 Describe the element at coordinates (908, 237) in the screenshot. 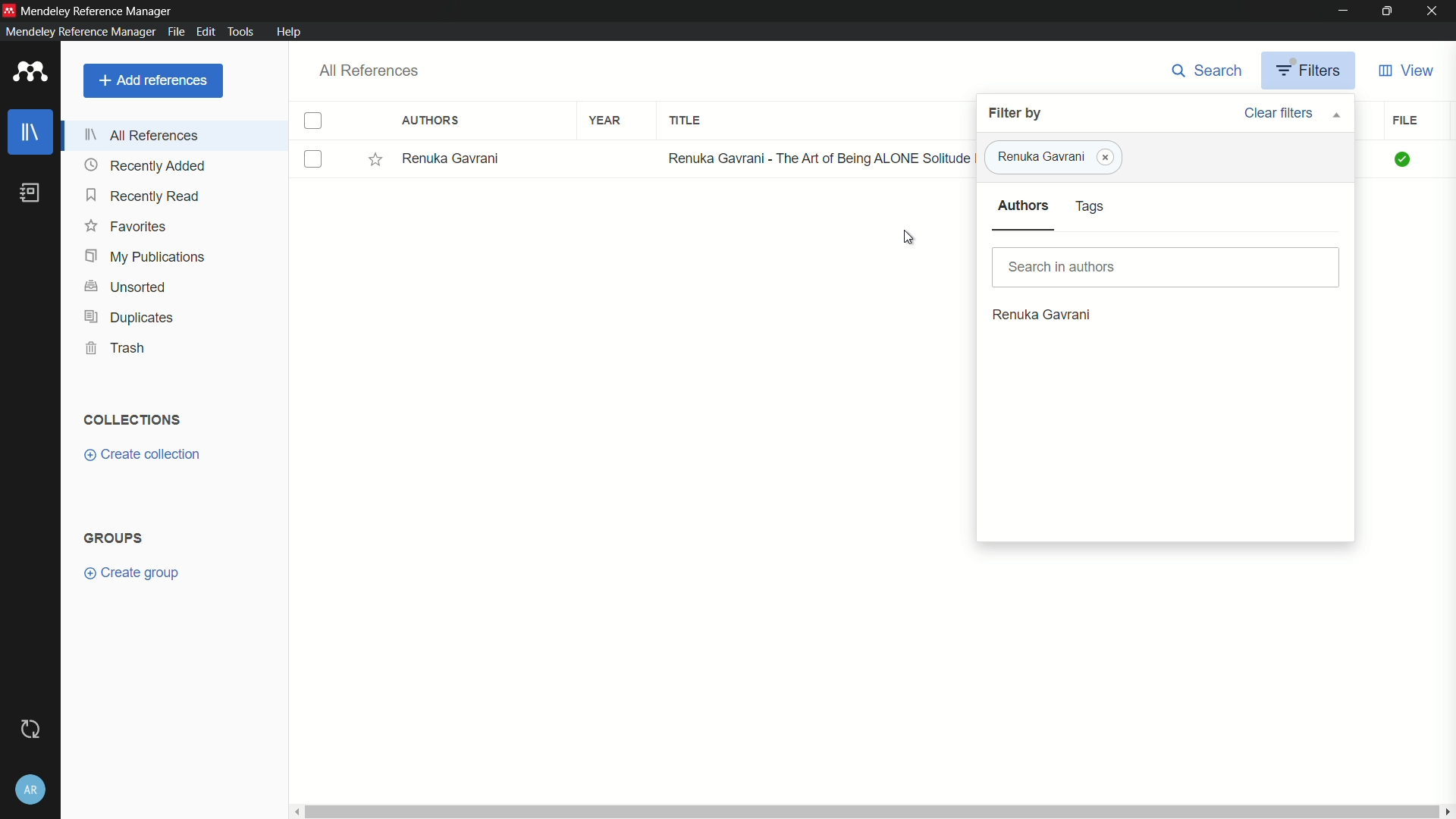

I see `cursor` at that location.